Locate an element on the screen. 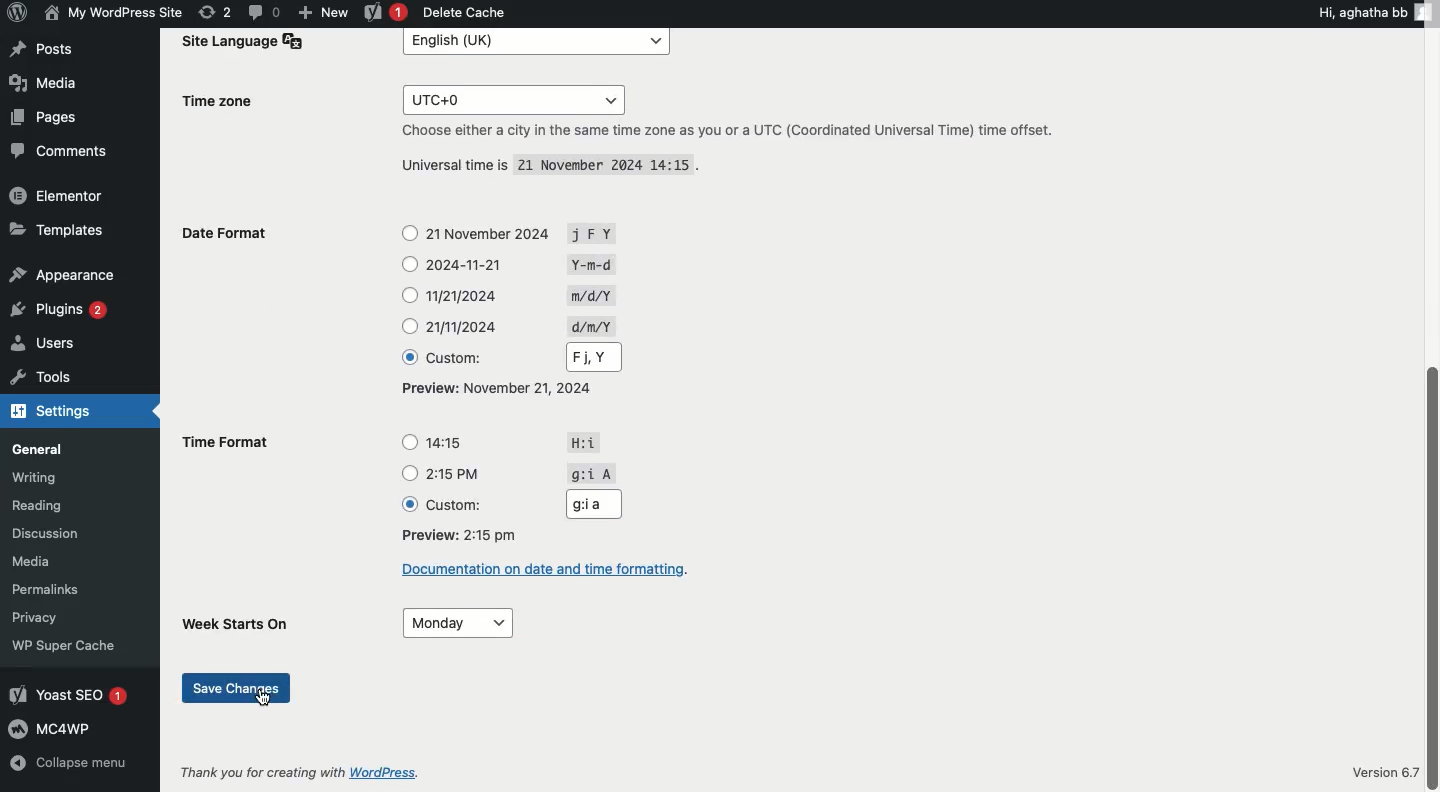 This screenshot has height=792, width=1440. Time zone is located at coordinates (224, 101).